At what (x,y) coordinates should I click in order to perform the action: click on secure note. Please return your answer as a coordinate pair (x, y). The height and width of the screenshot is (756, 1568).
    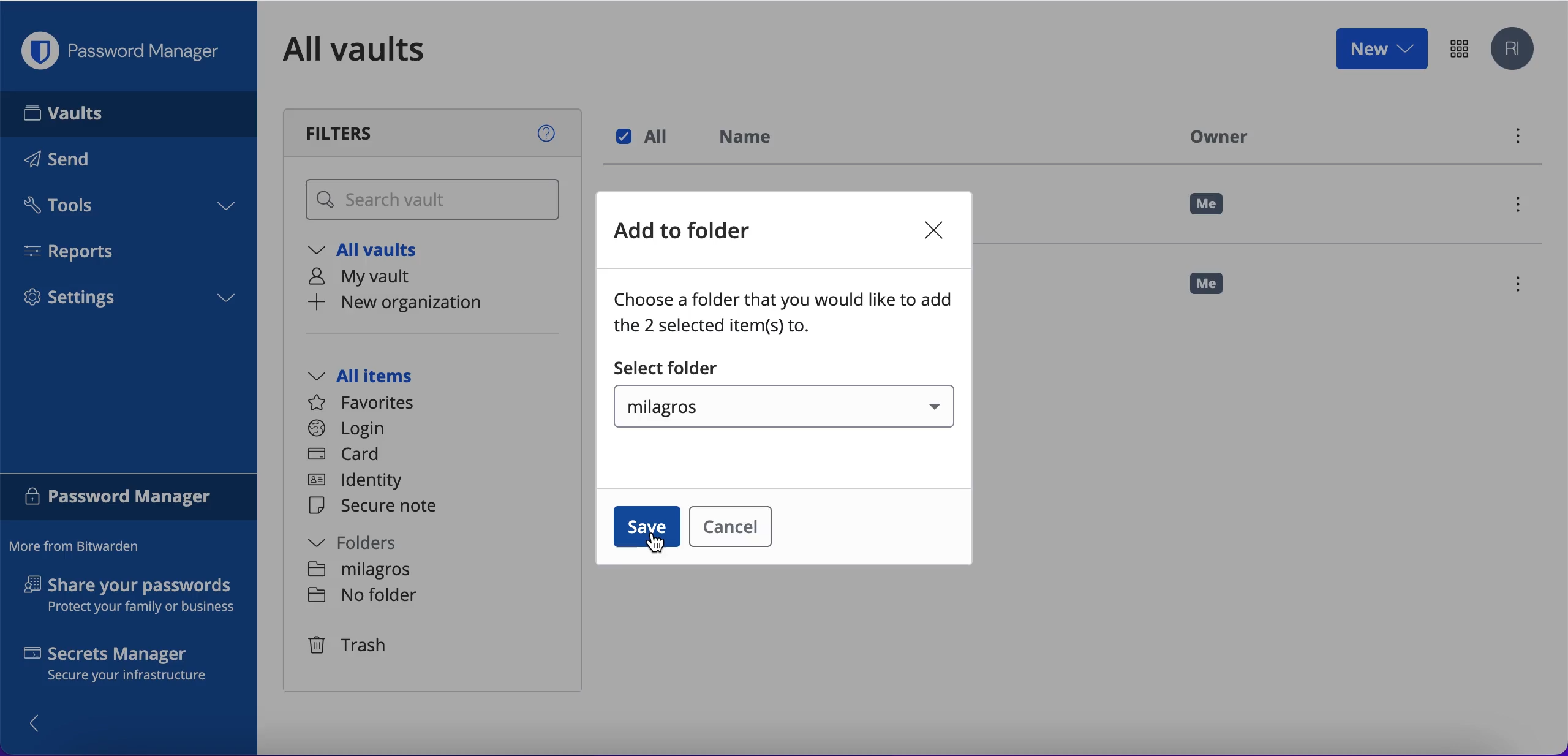
    Looking at the image, I should click on (379, 507).